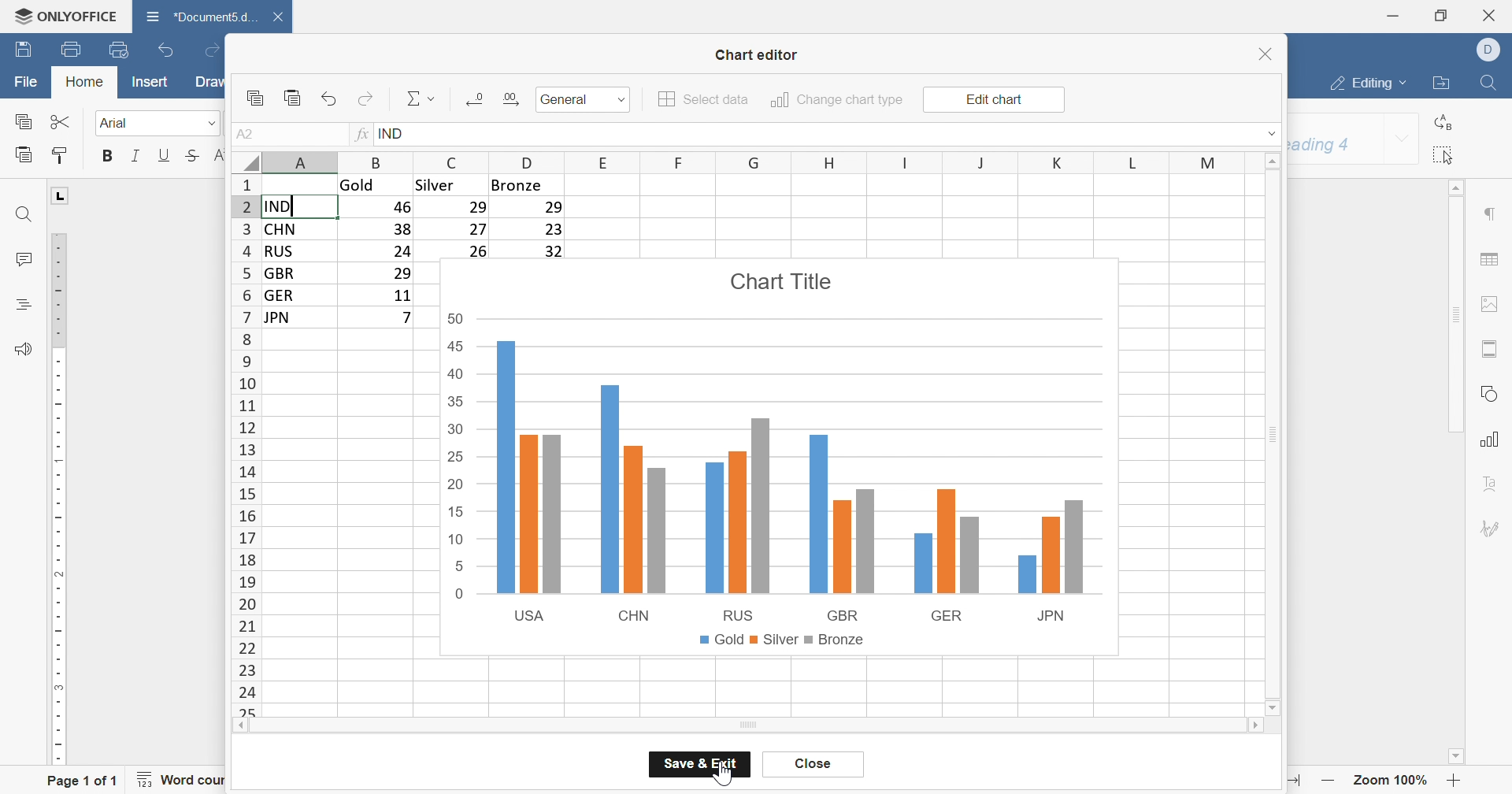 The width and height of the screenshot is (1512, 794). I want to click on drop down, so click(623, 100).